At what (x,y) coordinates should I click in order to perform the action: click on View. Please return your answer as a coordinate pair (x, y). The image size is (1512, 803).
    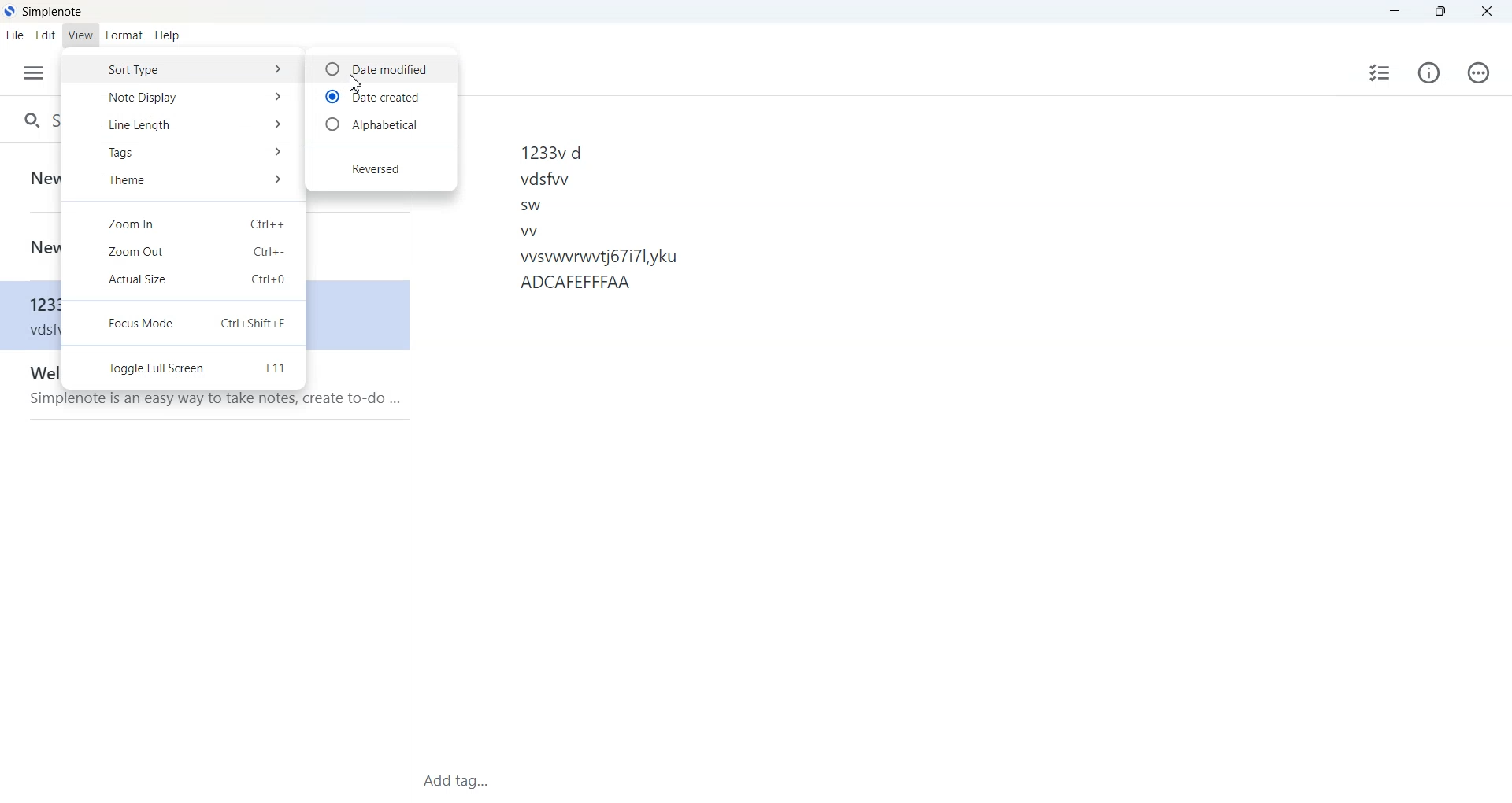
    Looking at the image, I should click on (81, 35).